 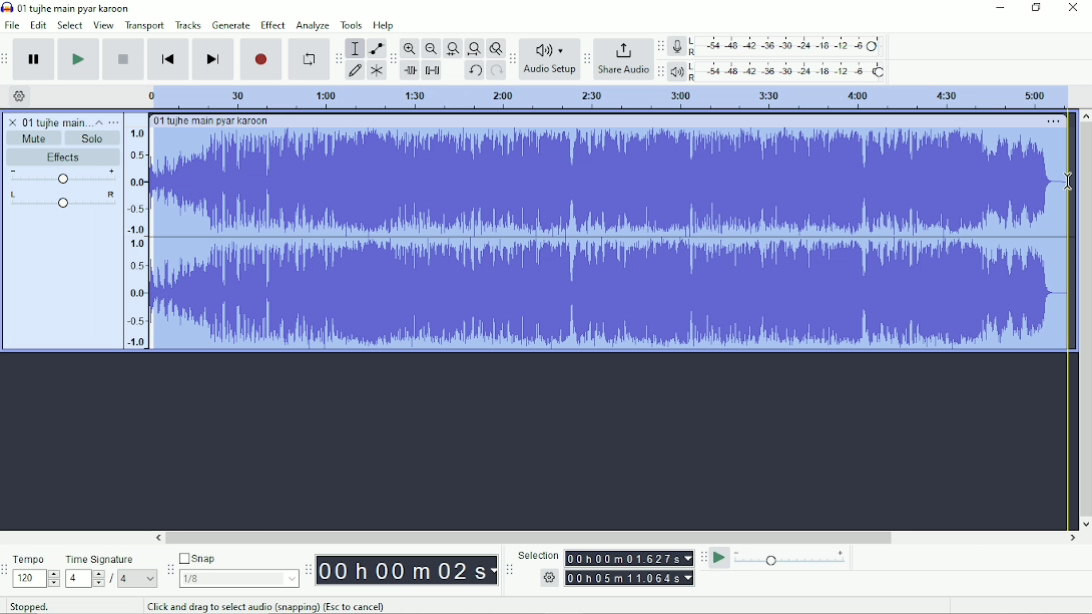 I want to click on Transport, so click(x=145, y=26).